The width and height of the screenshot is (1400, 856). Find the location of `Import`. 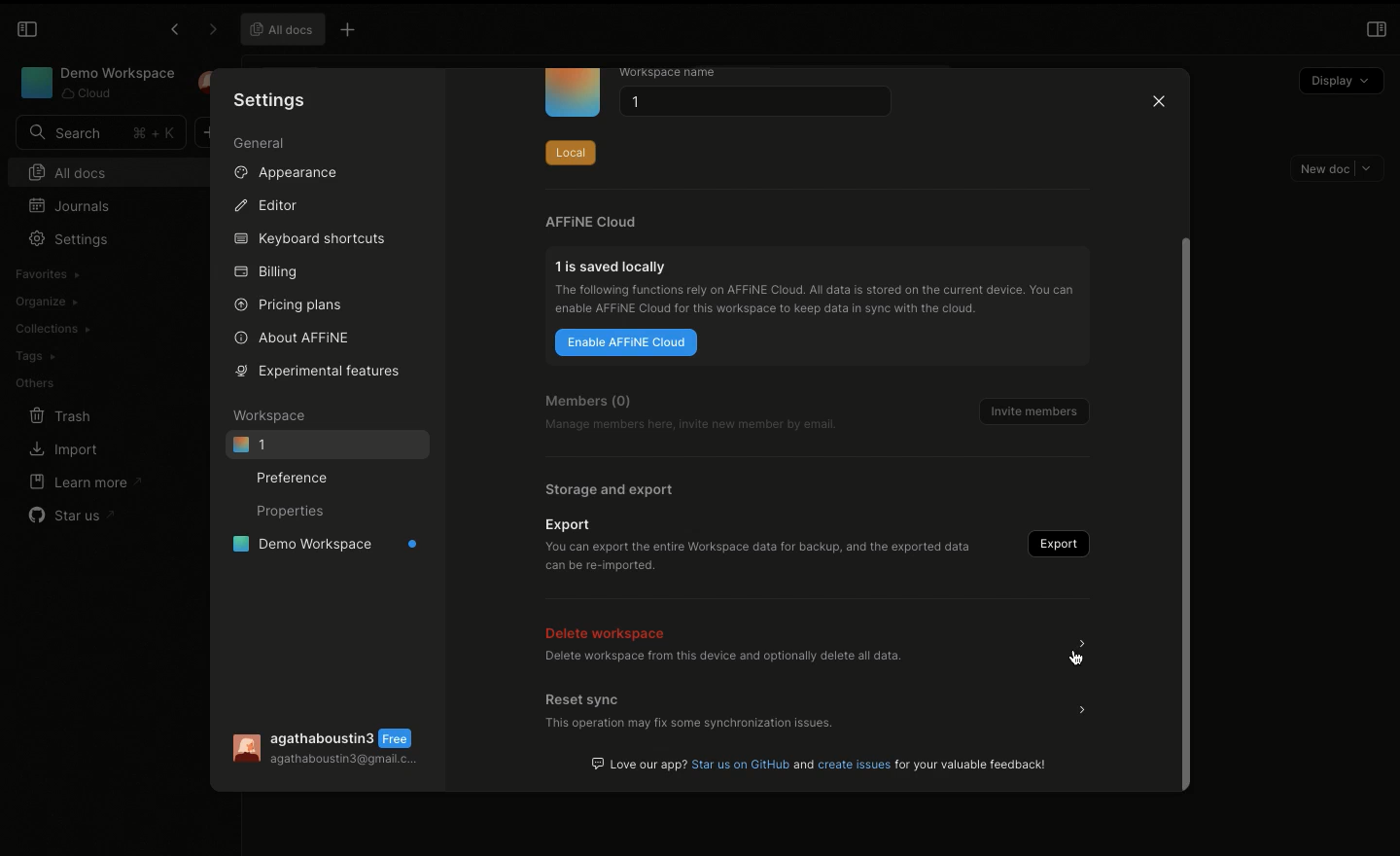

Import is located at coordinates (63, 450).